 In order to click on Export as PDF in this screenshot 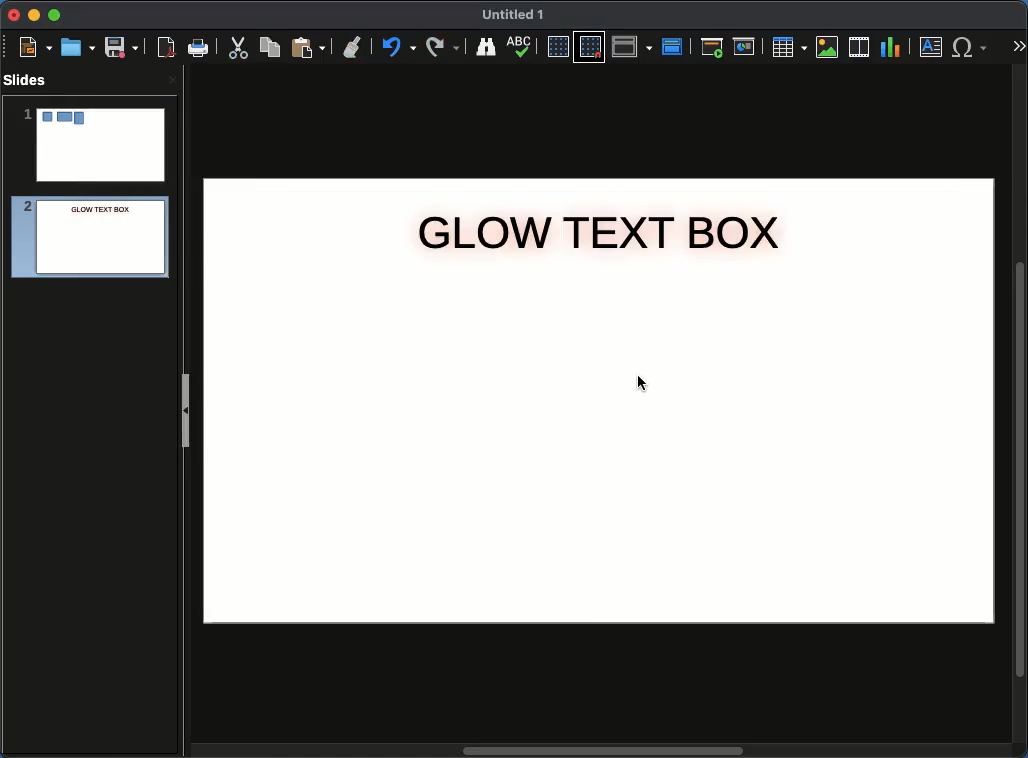, I will do `click(166, 48)`.